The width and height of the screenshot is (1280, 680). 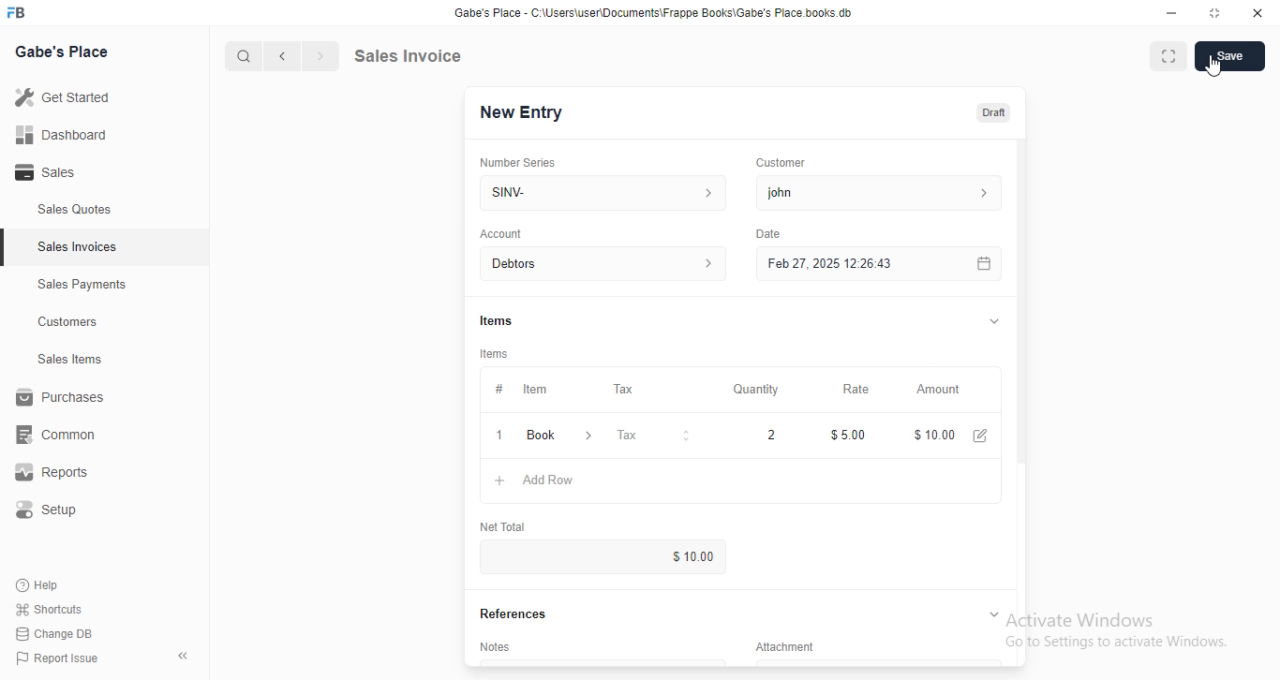 What do you see at coordinates (784, 163) in the screenshot?
I see `Customer` at bounding box center [784, 163].